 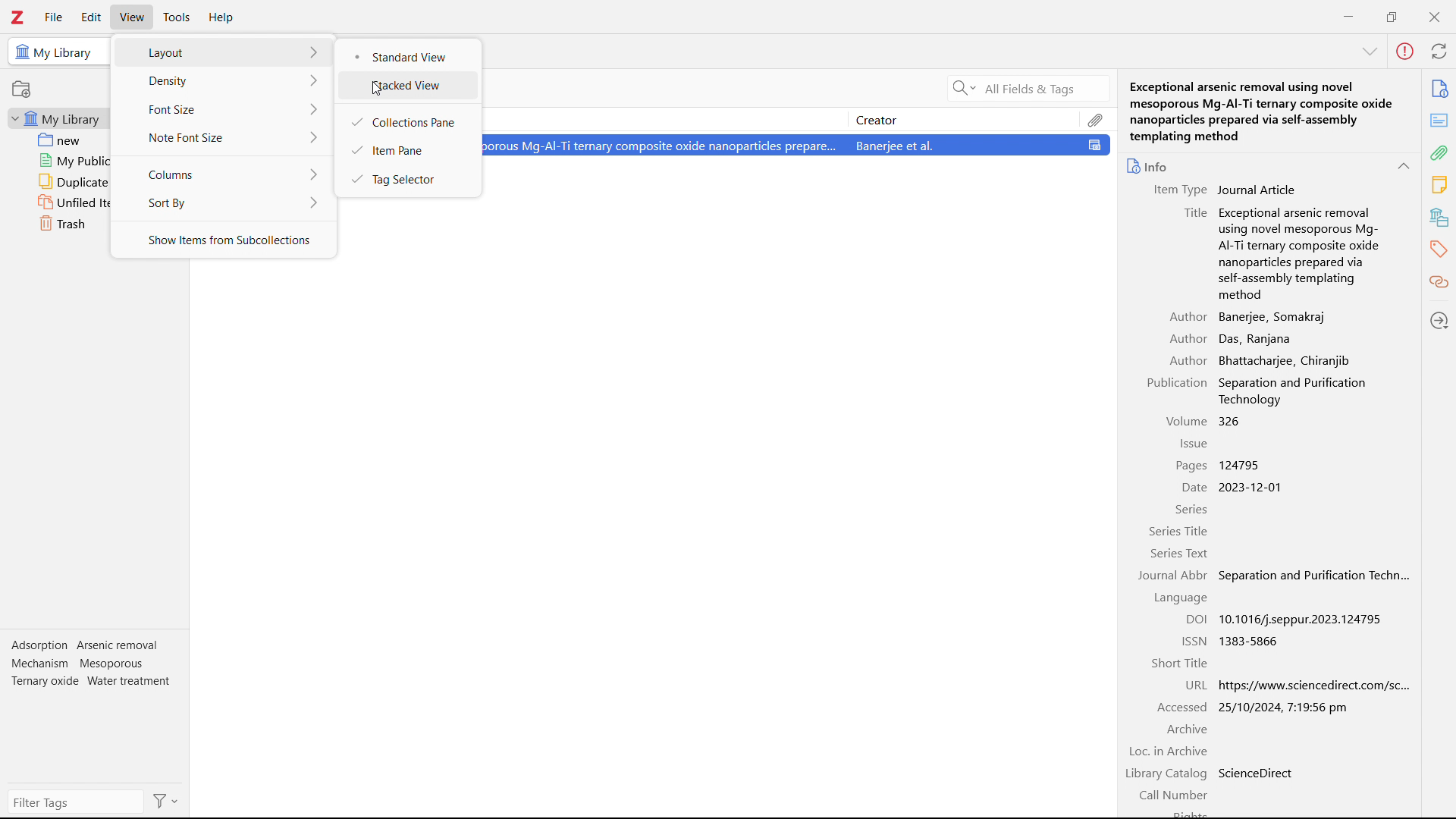 What do you see at coordinates (1439, 217) in the screenshot?
I see `libraries and collections` at bounding box center [1439, 217].